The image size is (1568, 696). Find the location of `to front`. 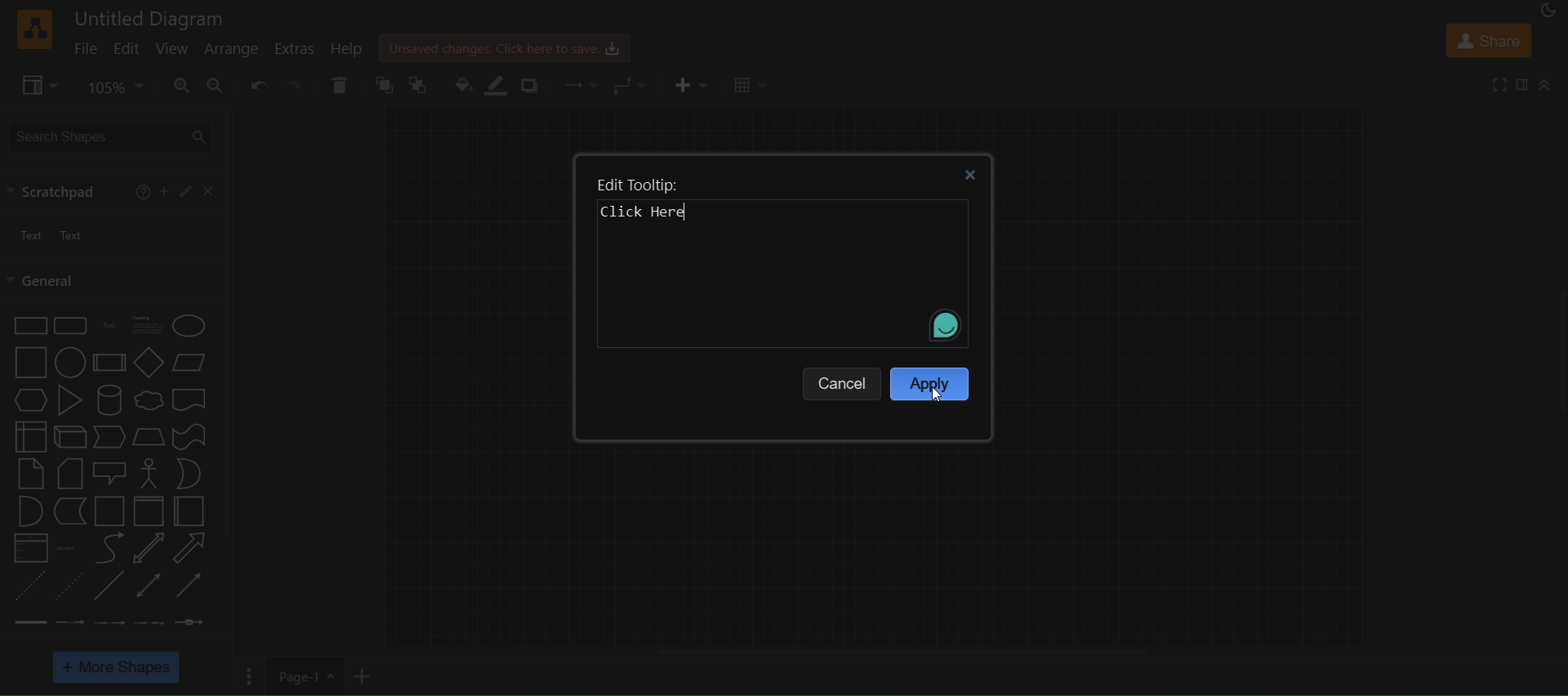

to front is located at coordinates (383, 84).